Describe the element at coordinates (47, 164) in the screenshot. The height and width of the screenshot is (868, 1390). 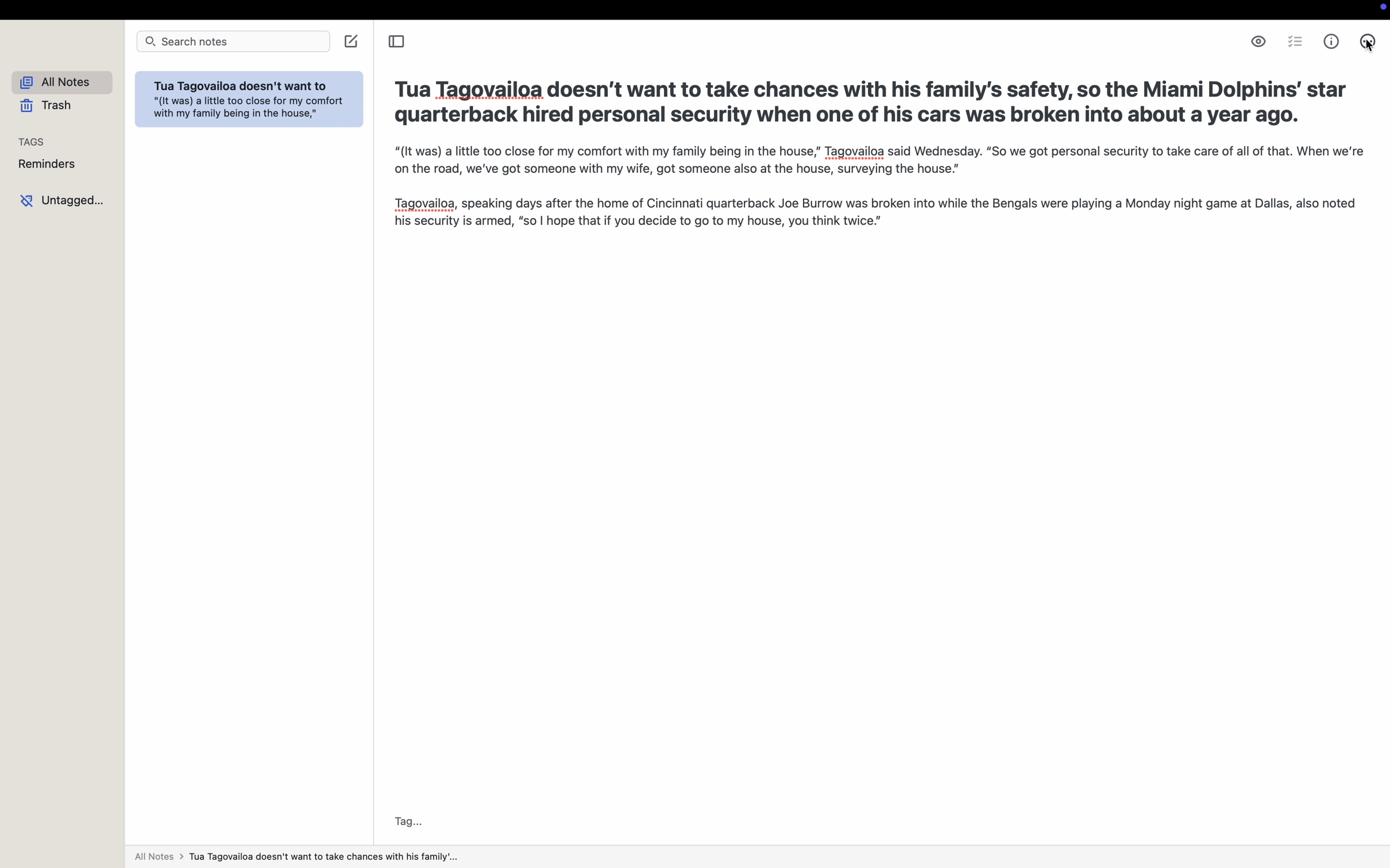
I see `reminders` at that location.